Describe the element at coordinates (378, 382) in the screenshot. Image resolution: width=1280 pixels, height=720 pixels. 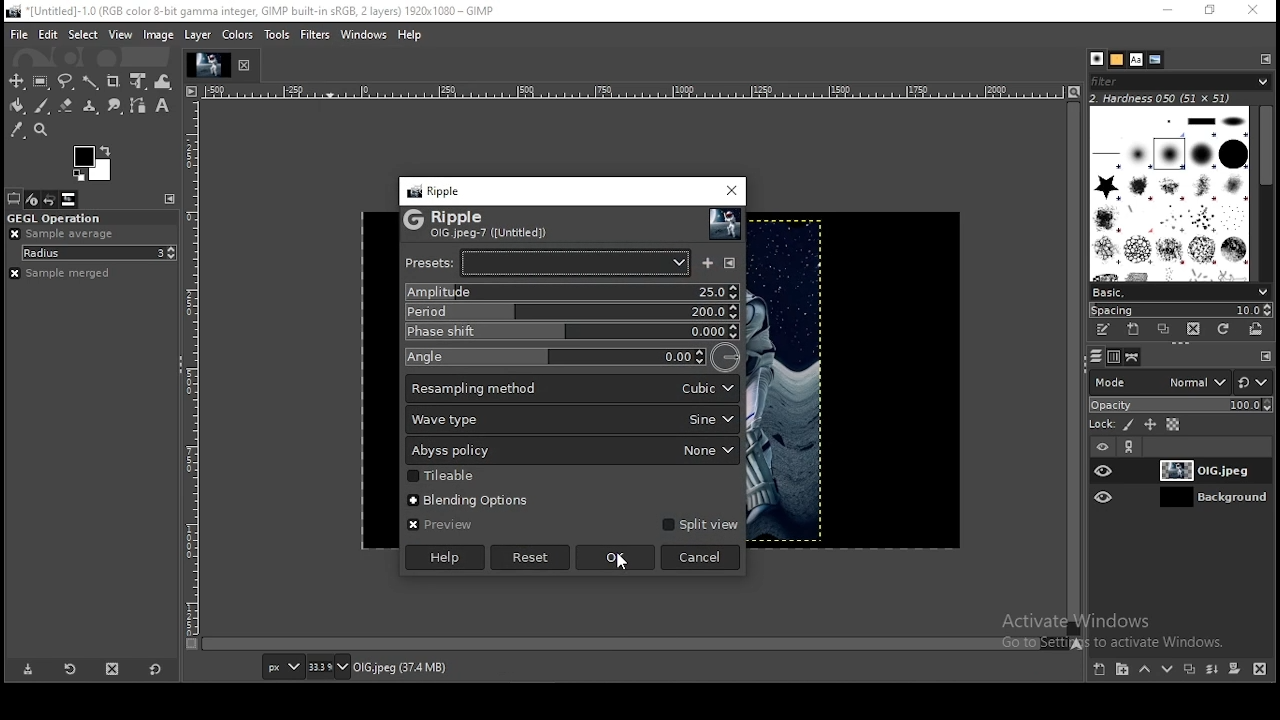
I see `image` at that location.